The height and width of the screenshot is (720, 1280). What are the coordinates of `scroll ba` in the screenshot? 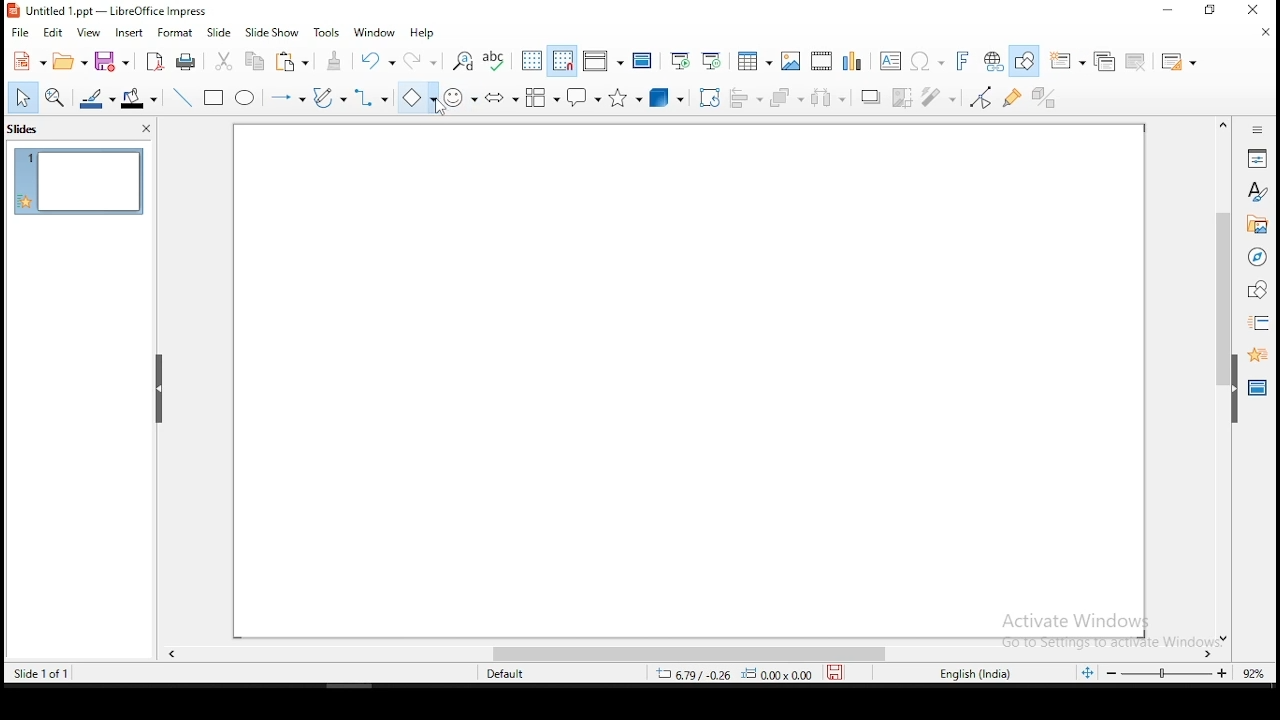 It's located at (691, 655).